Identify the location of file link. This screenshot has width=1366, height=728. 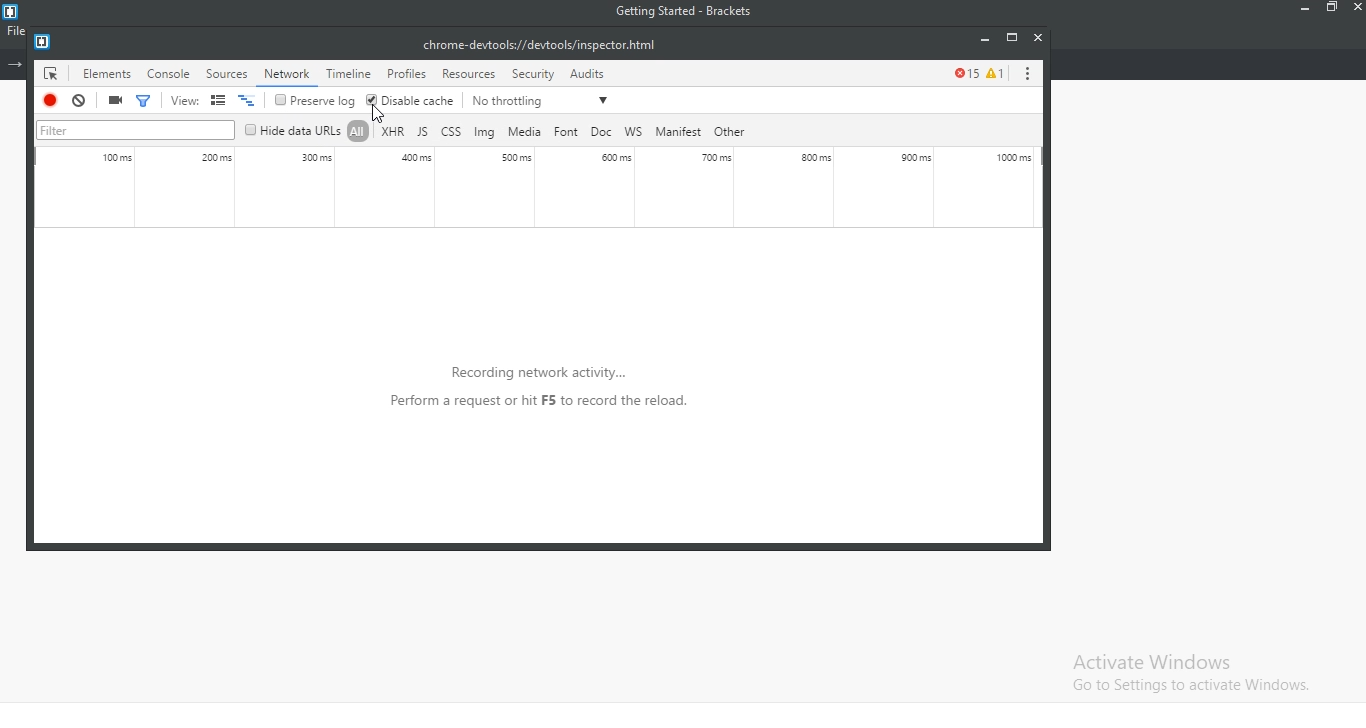
(533, 44).